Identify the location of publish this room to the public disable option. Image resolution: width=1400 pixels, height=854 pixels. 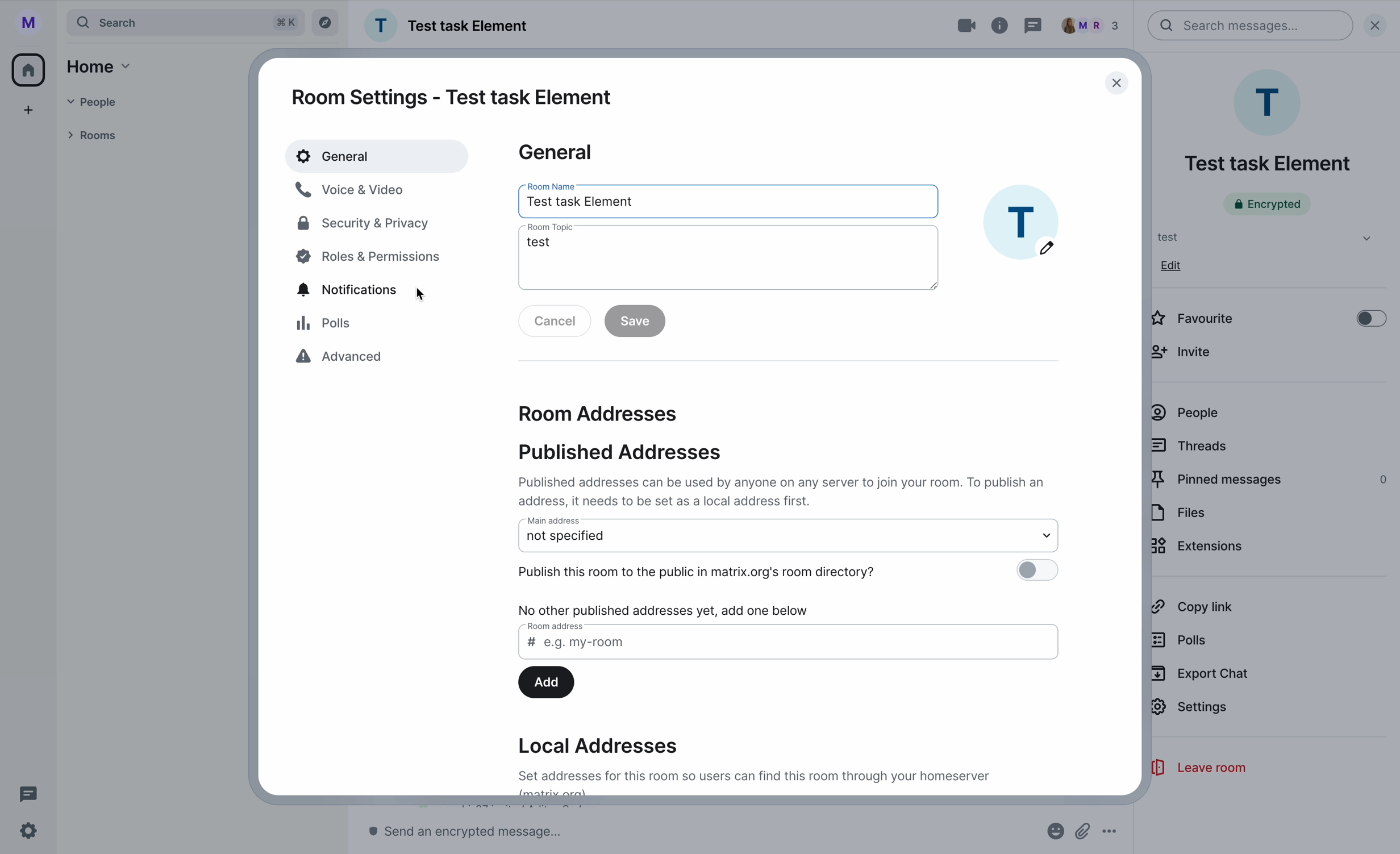
(791, 572).